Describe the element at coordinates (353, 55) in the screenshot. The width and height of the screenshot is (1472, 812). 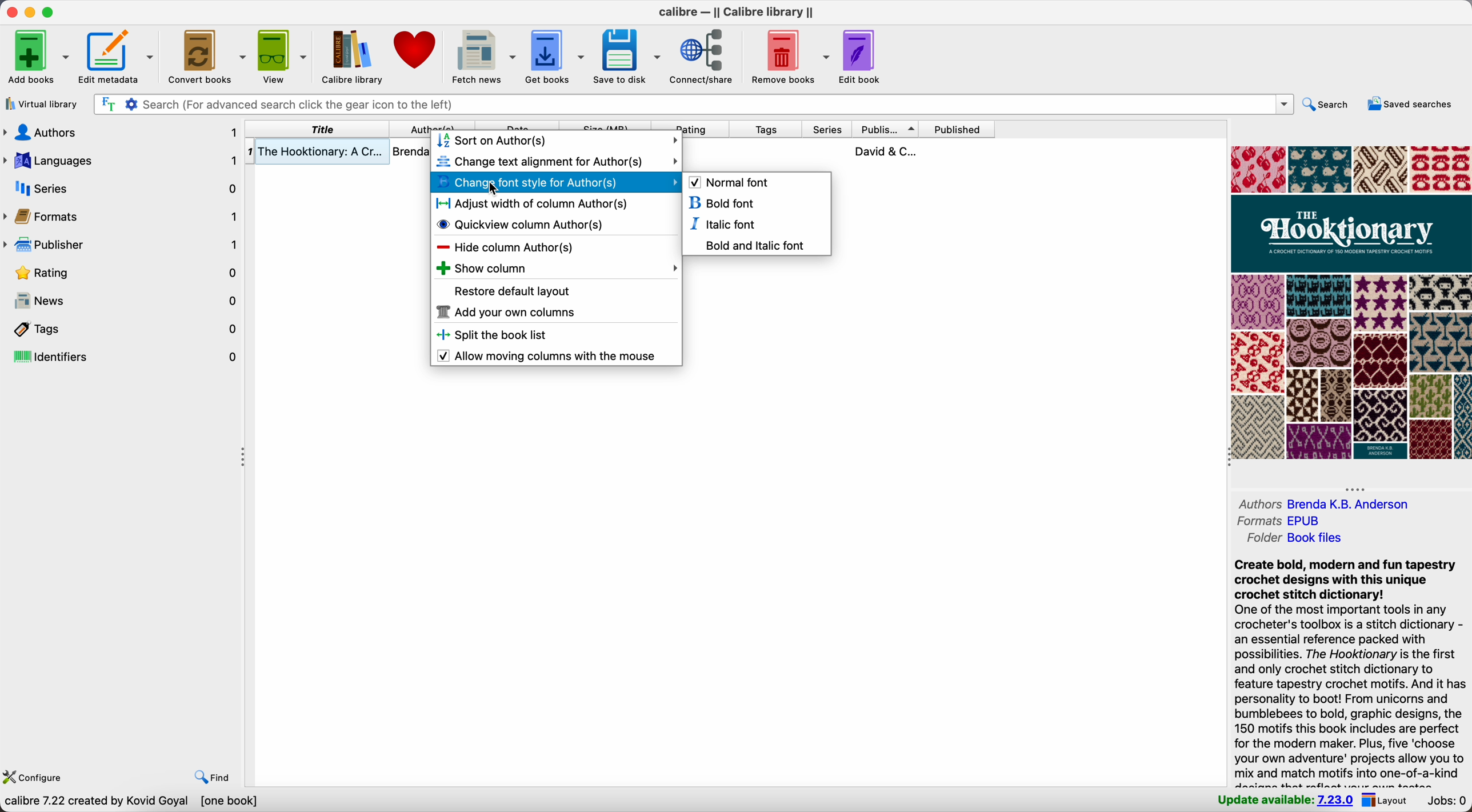
I see `Calibre library` at that location.